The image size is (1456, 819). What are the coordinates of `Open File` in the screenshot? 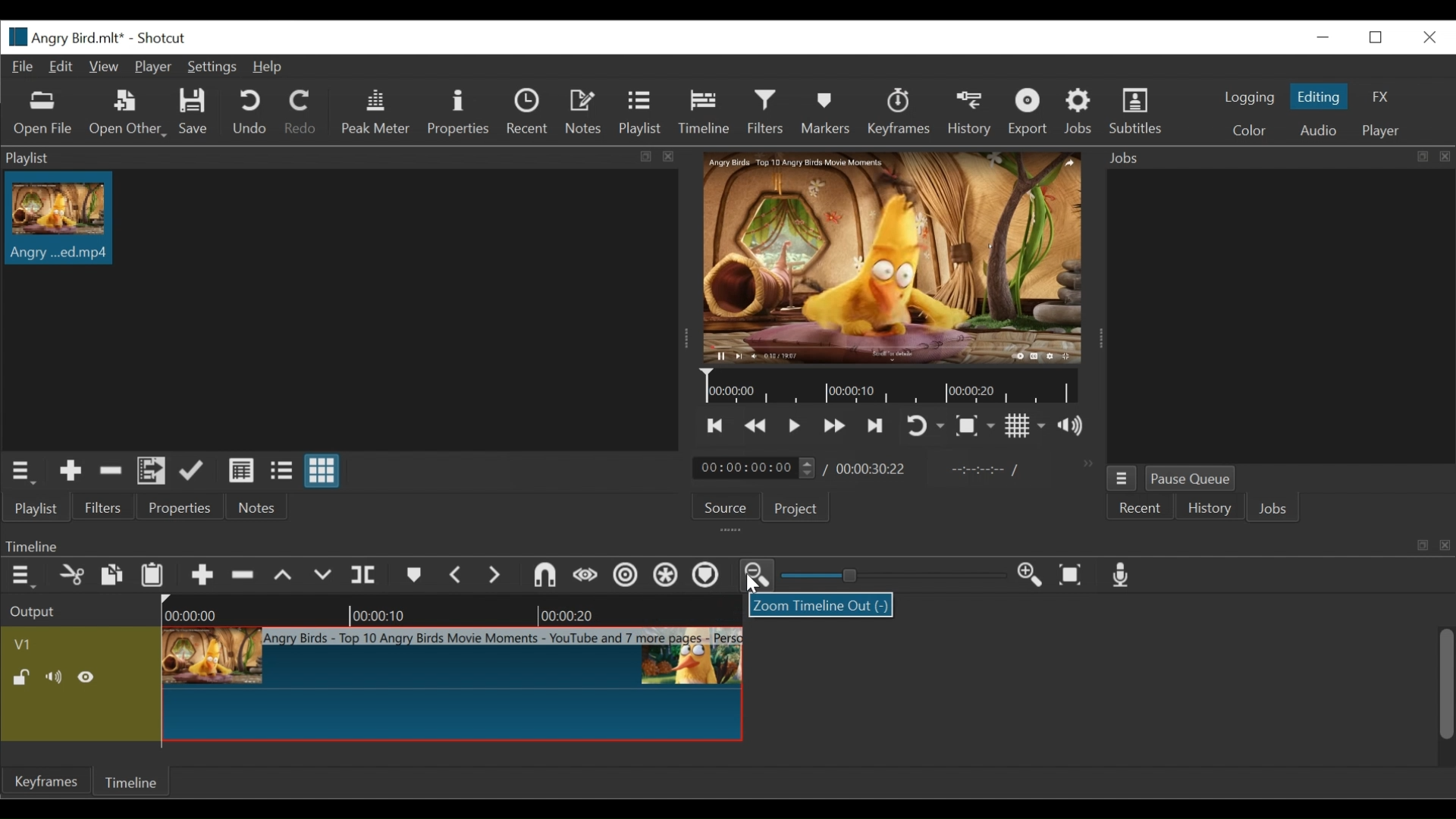 It's located at (42, 114).